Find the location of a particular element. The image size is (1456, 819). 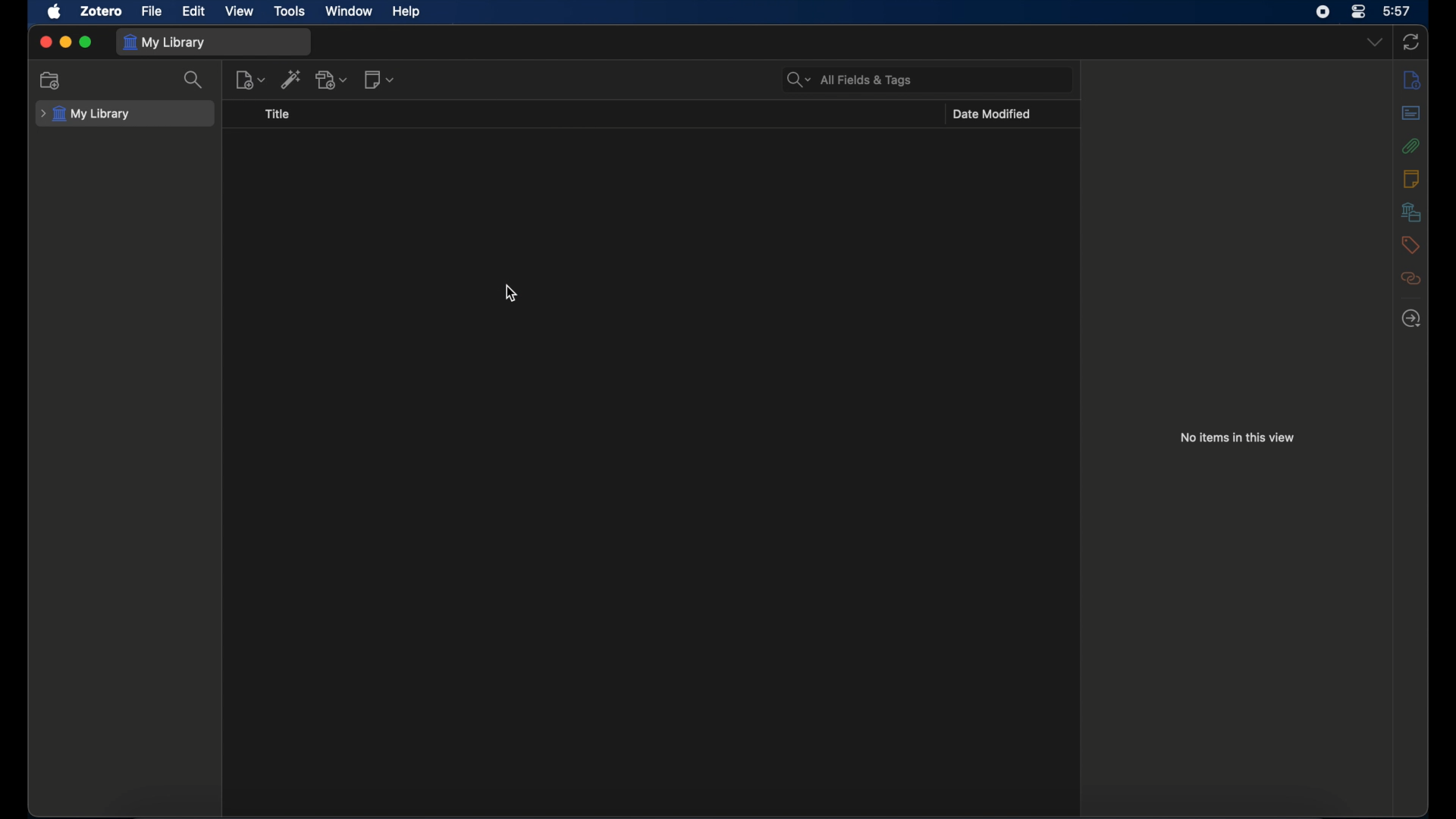

cursor is located at coordinates (509, 293).